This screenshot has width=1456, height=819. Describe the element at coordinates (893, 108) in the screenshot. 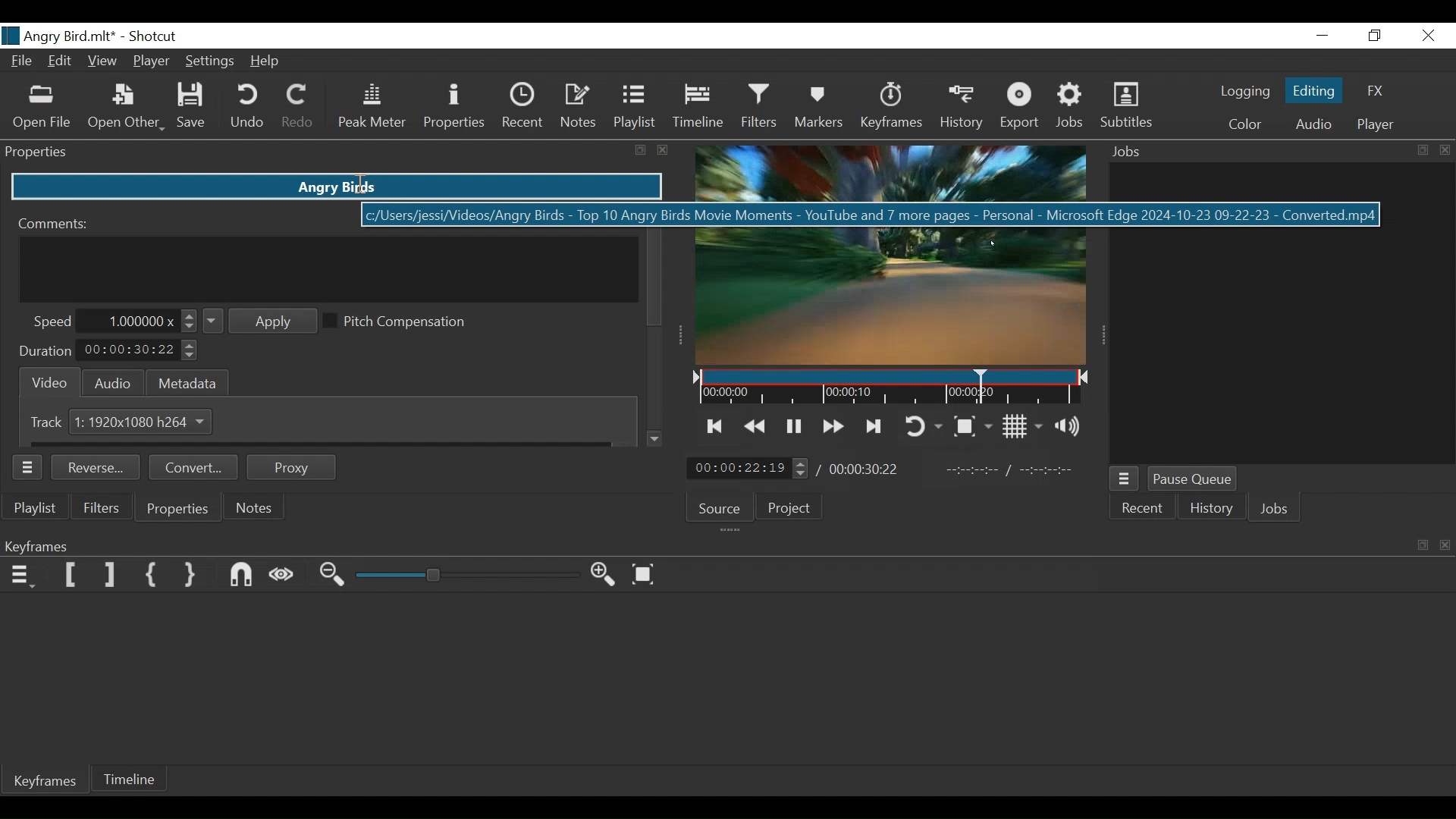

I see `Keyframe` at that location.